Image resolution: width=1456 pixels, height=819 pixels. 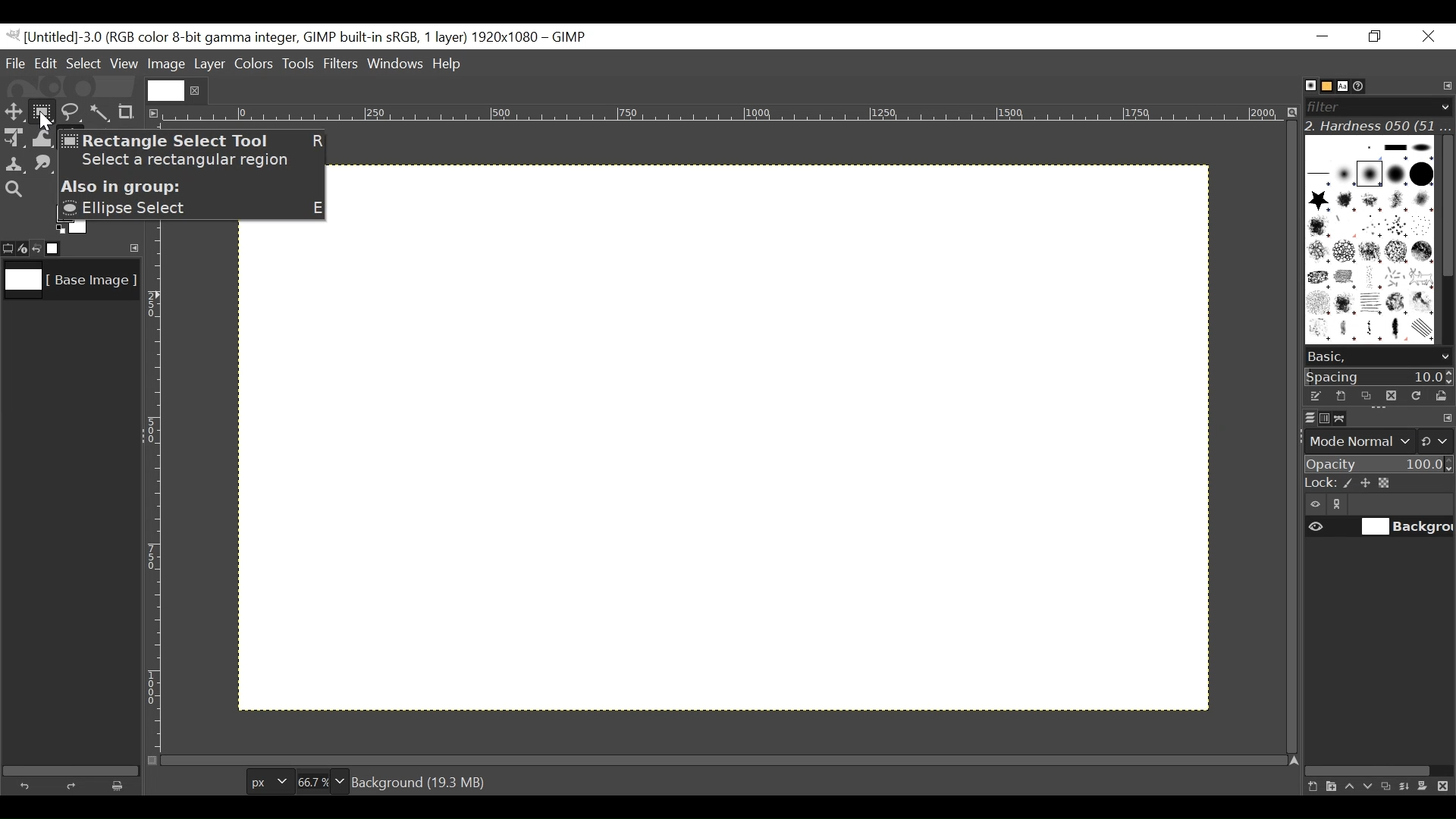 I want to click on link/unlink item, so click(x=1341, y=507).